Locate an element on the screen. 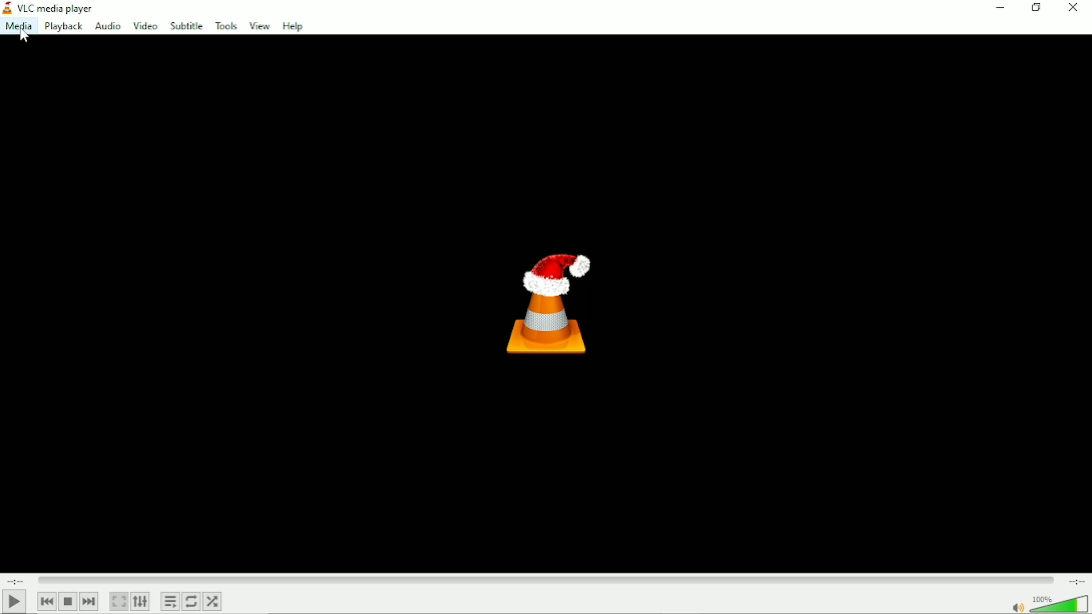 The width and height of the screenshot is (1092, 614). VLC media player is located at coordinates (49, 7).